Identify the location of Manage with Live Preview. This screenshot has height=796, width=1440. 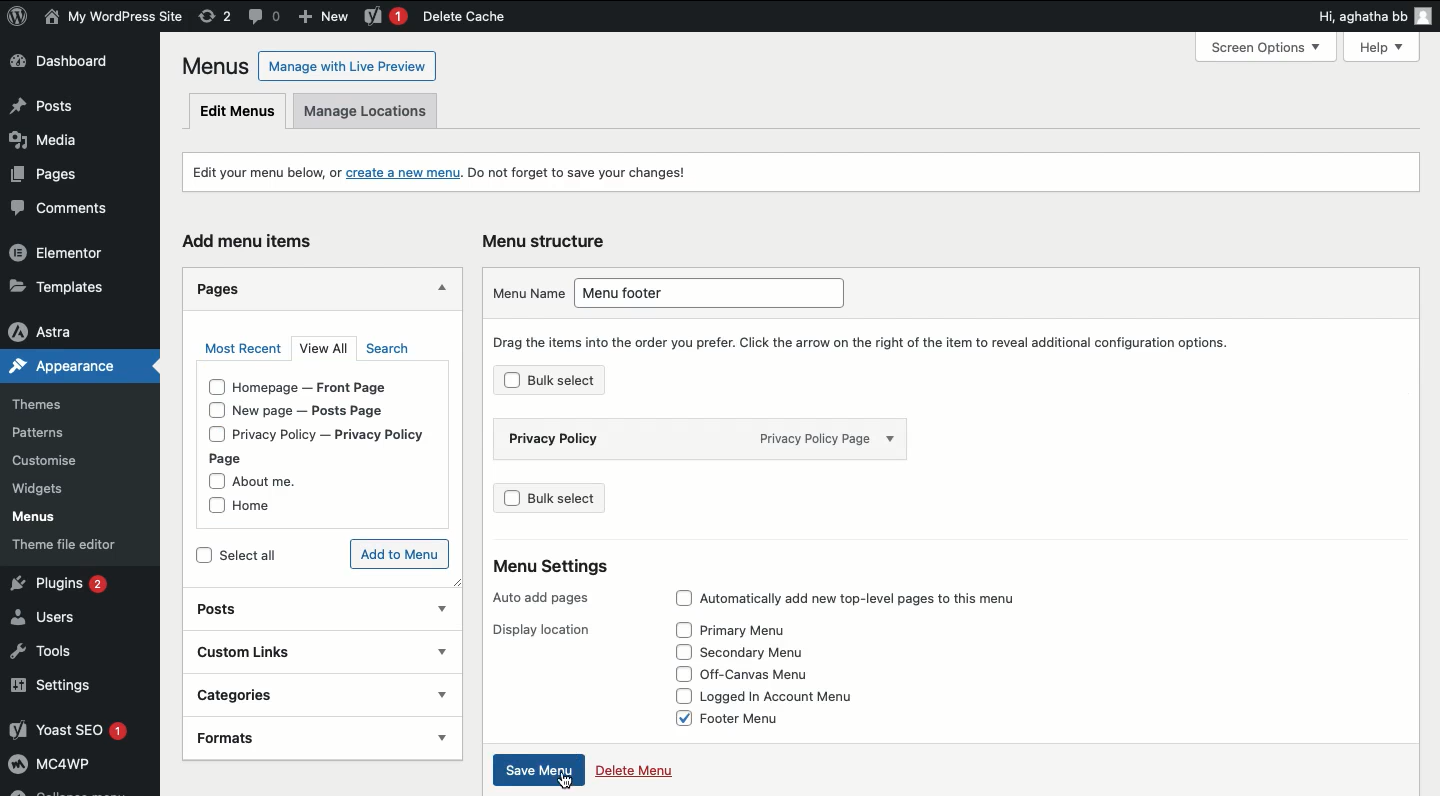
(347, 65).